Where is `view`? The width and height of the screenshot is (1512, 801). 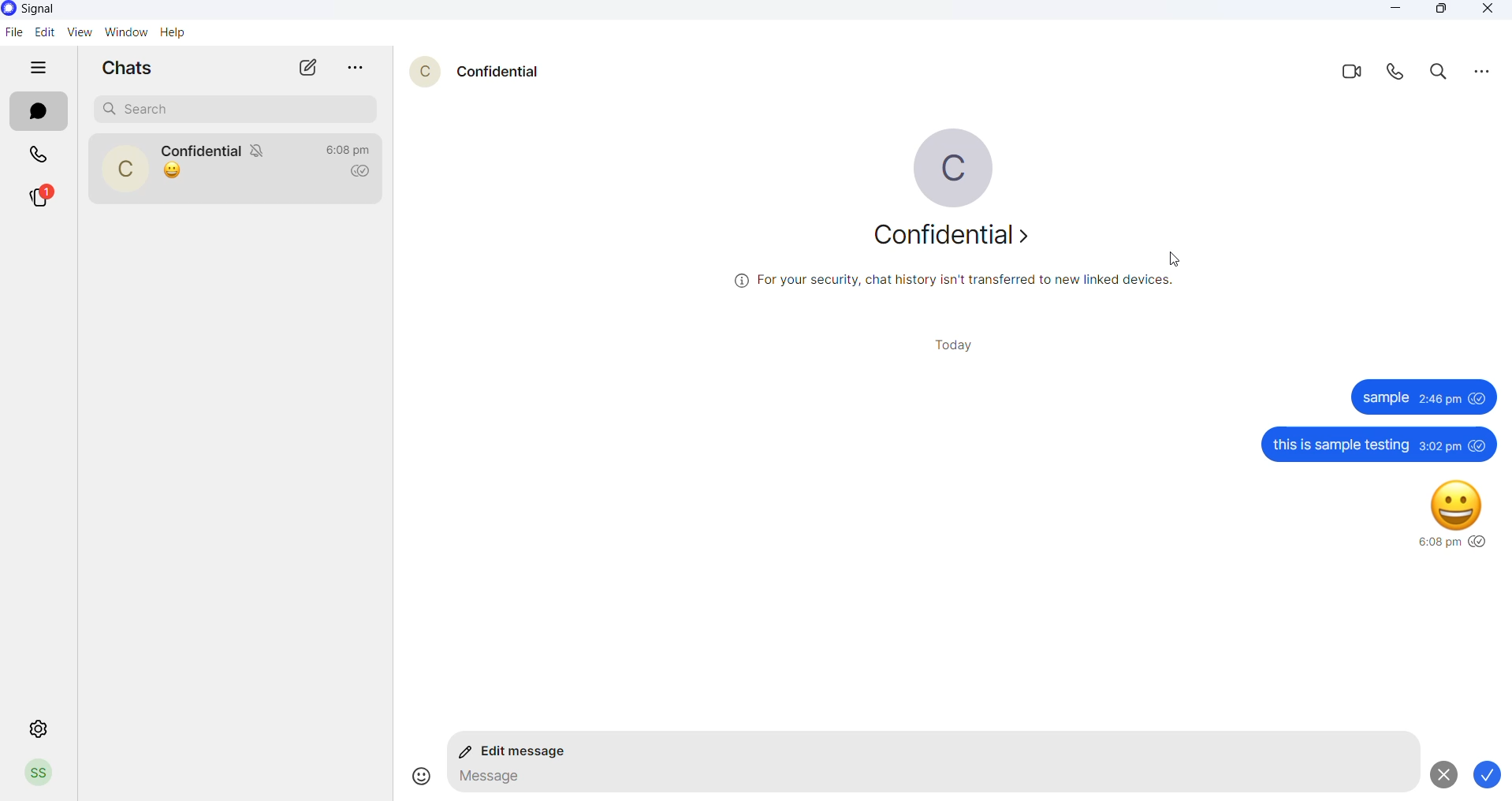 view is located at coordinates (75, 32).